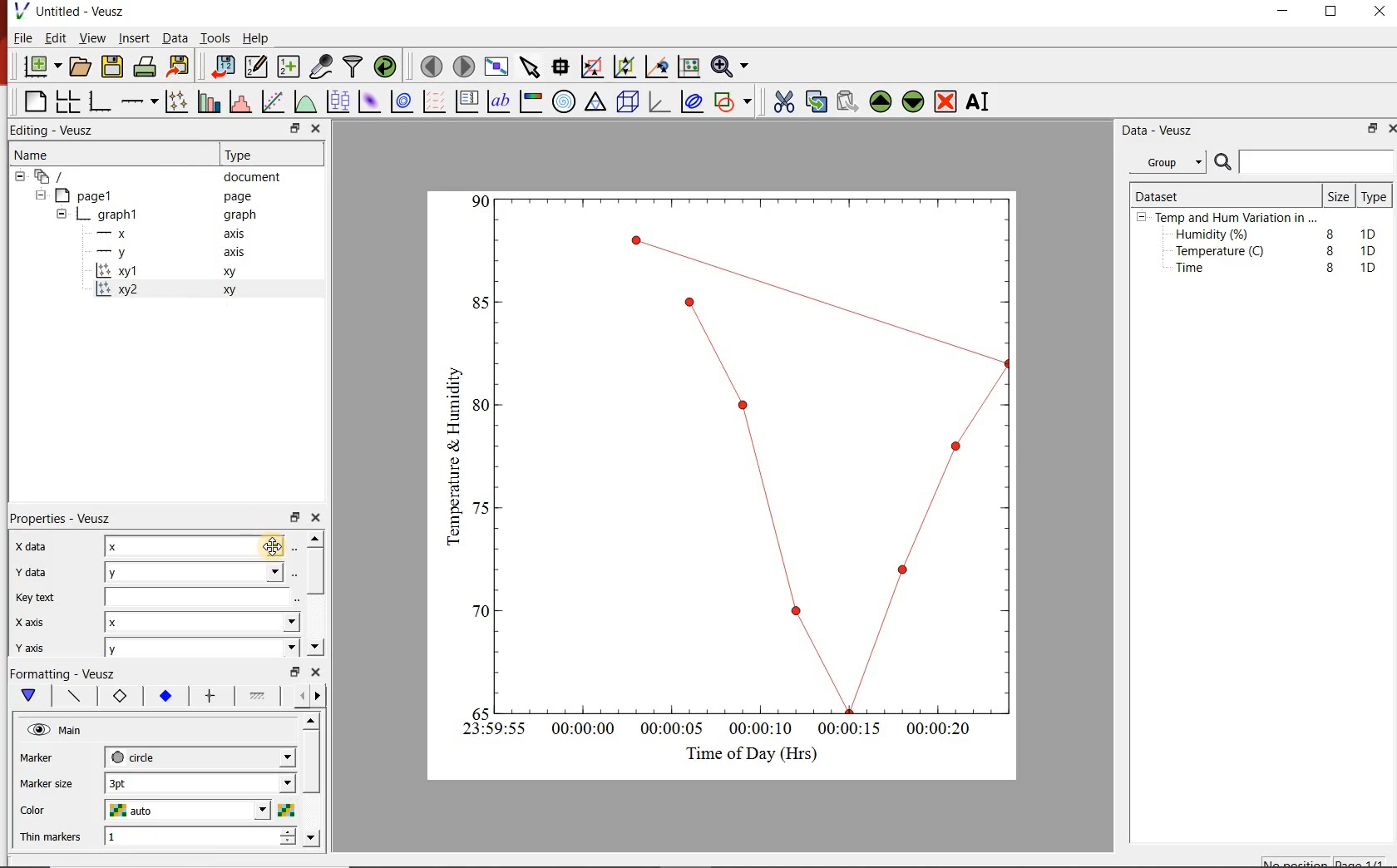  Describe the element at coordinates (292, 672) in the screenshot. I see `restore down` at that location.